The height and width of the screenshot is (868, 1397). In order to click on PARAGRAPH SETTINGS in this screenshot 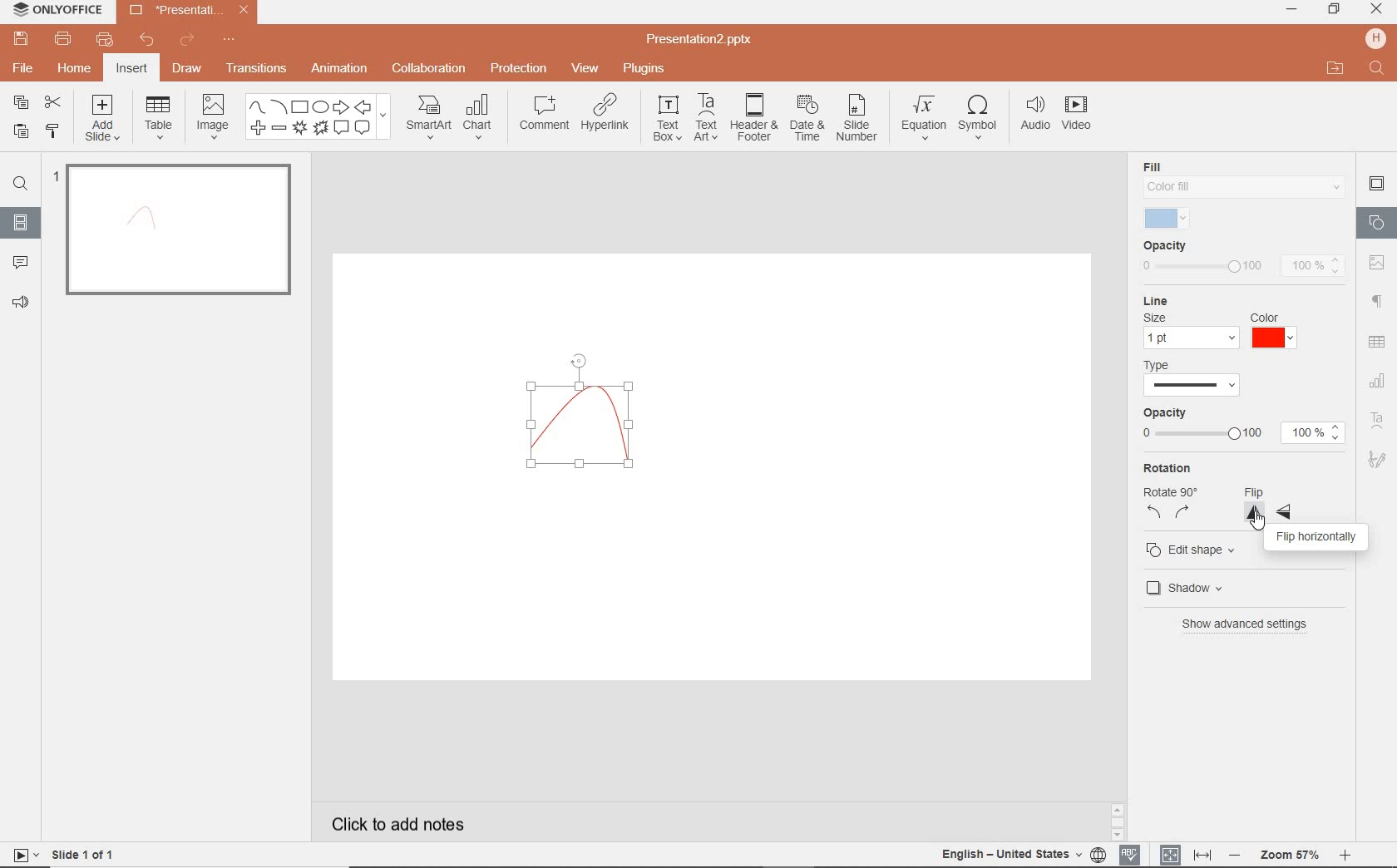, I will do `click(1375, 300)`.